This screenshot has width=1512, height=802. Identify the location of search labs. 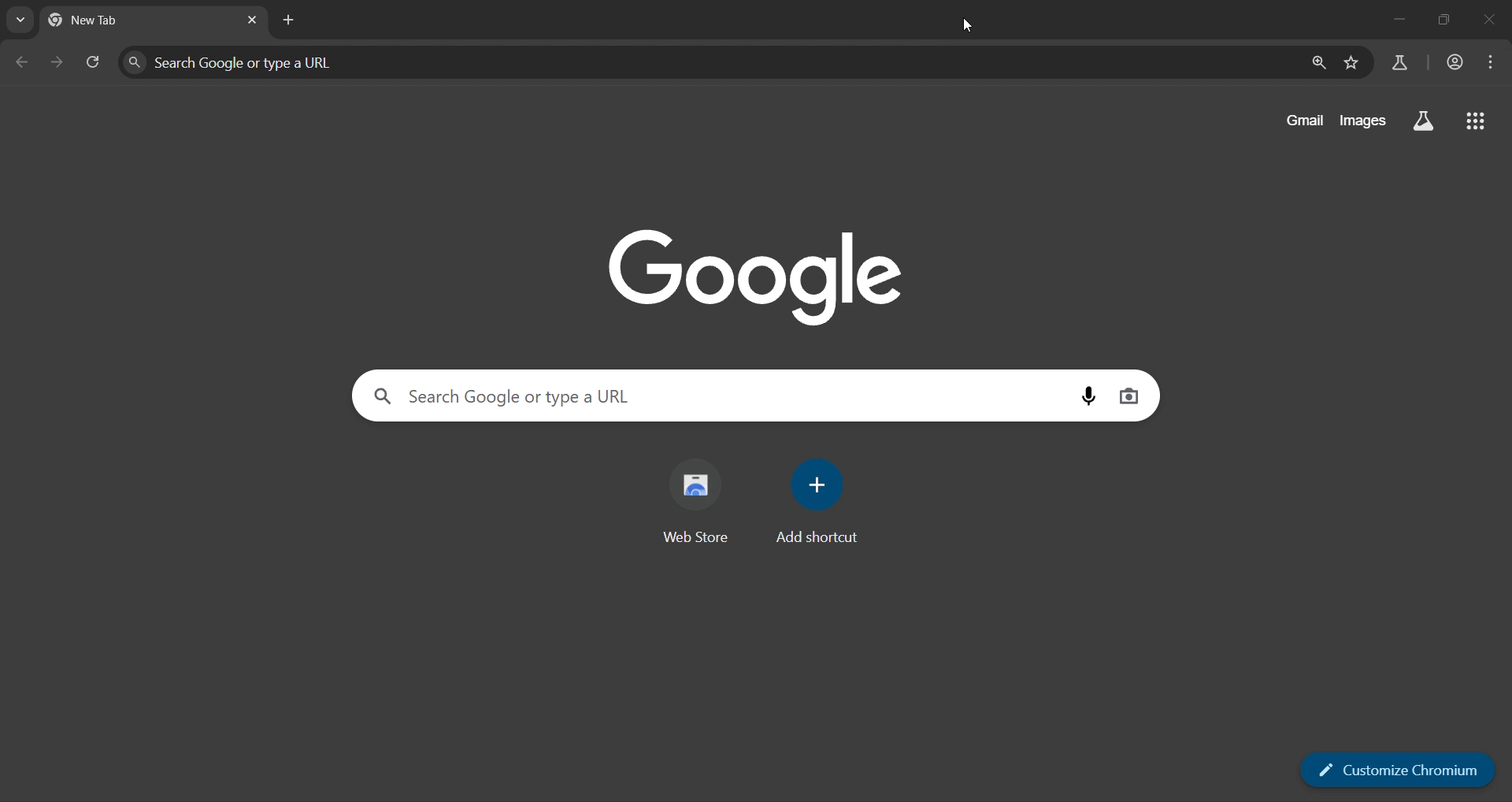
(1422, 118).